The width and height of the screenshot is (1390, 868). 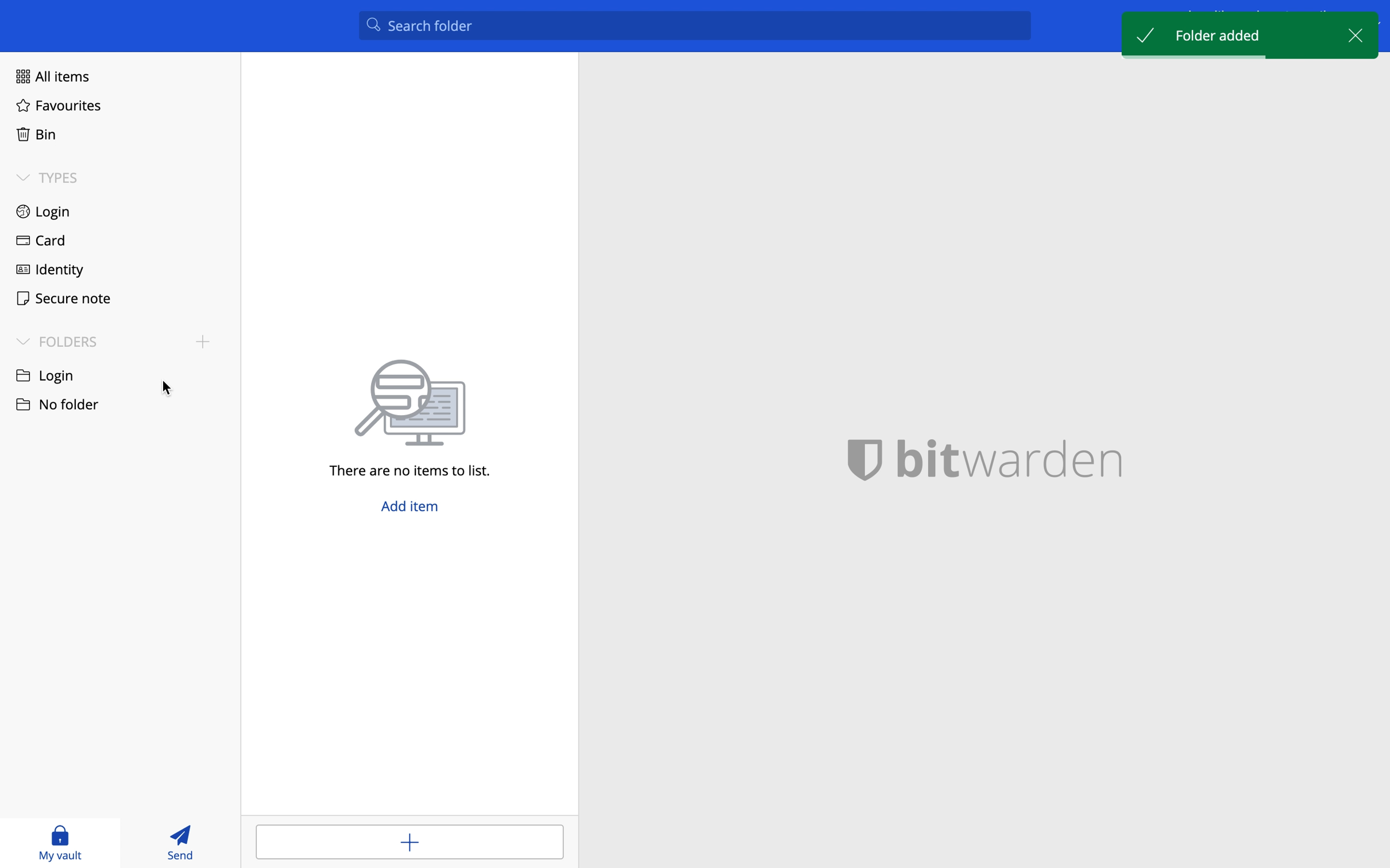 I want to click on add item, so click(x=409, y=840).